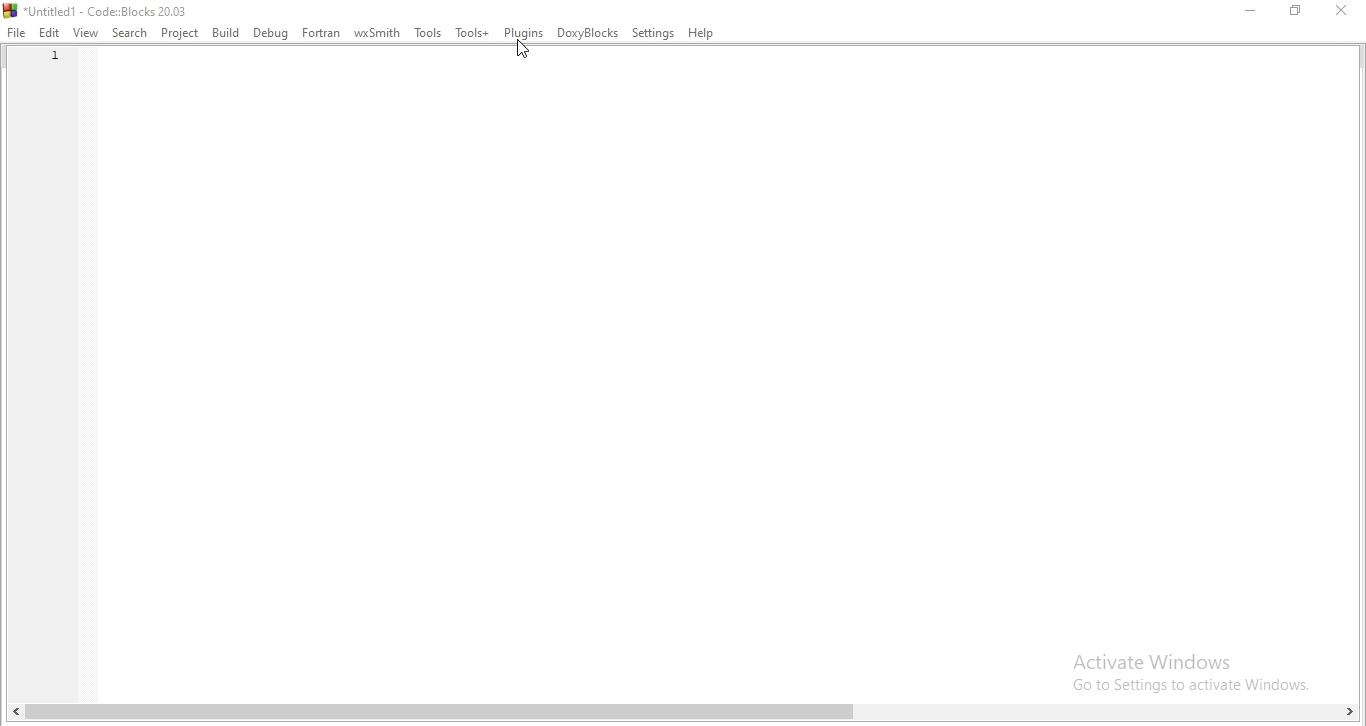 This screenshot has width=1366, height=726. Describe the element at coordinates (227, 32) in the screenshot. I see `Bulid` at that location.